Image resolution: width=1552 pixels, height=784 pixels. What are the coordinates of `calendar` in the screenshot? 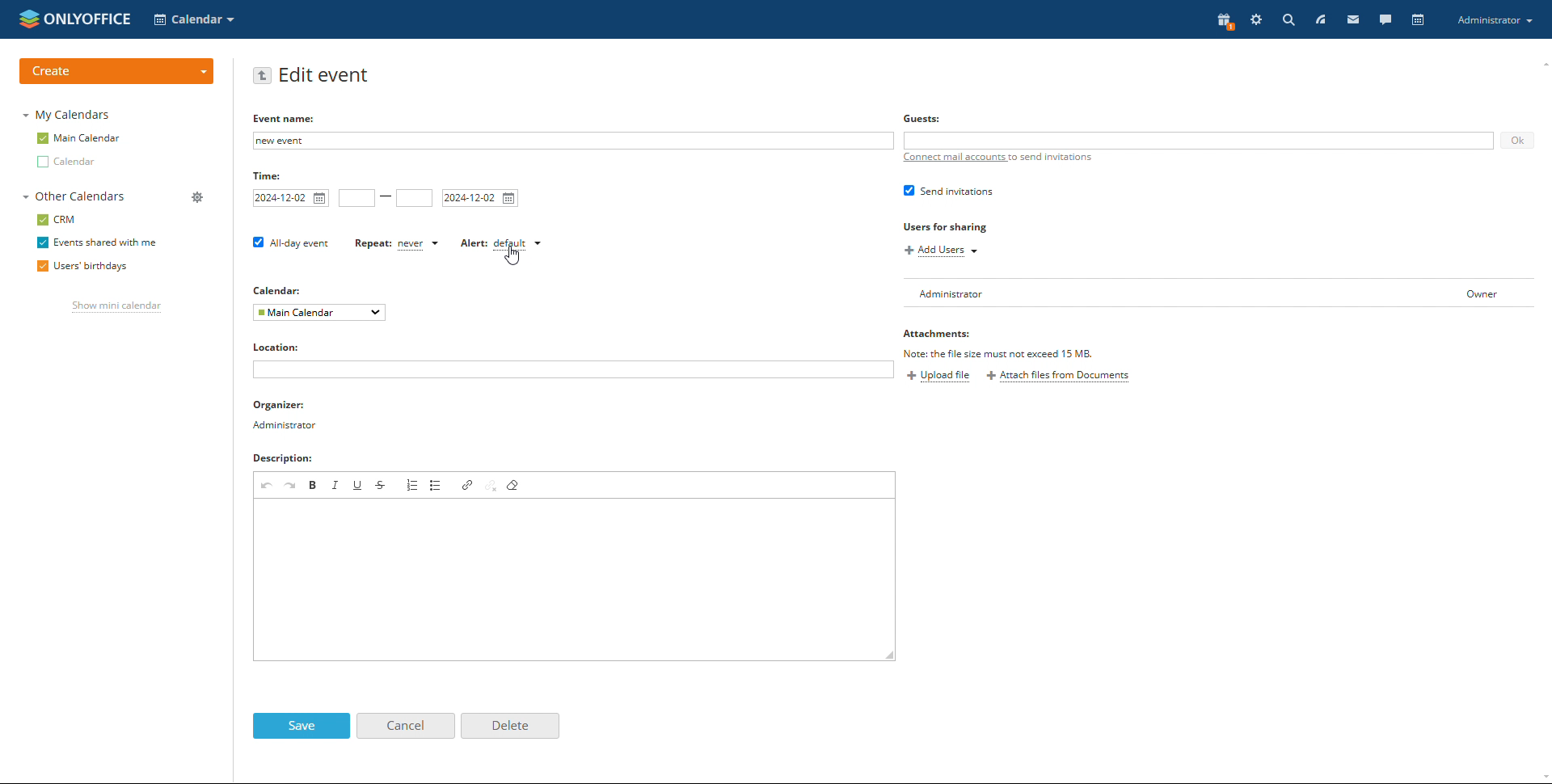 It's located at (280, 290).